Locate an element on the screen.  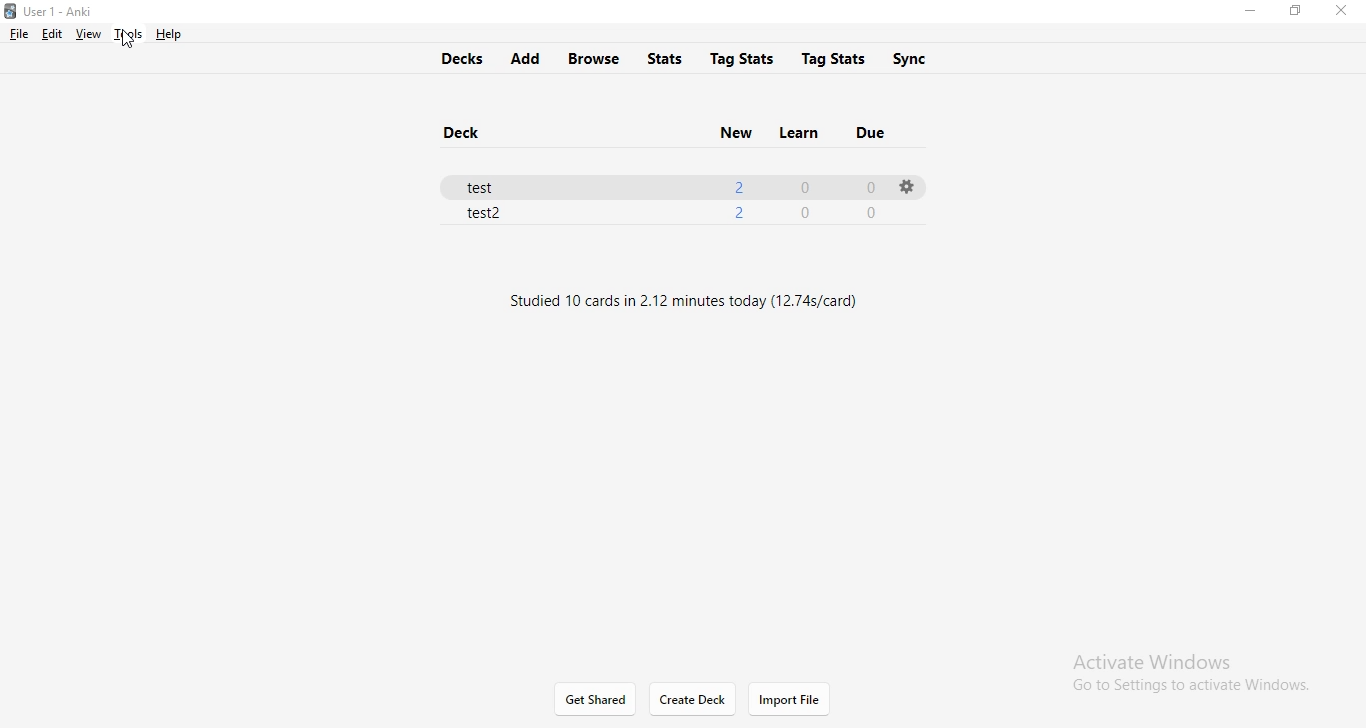
help is located at coordinates (166, 34).